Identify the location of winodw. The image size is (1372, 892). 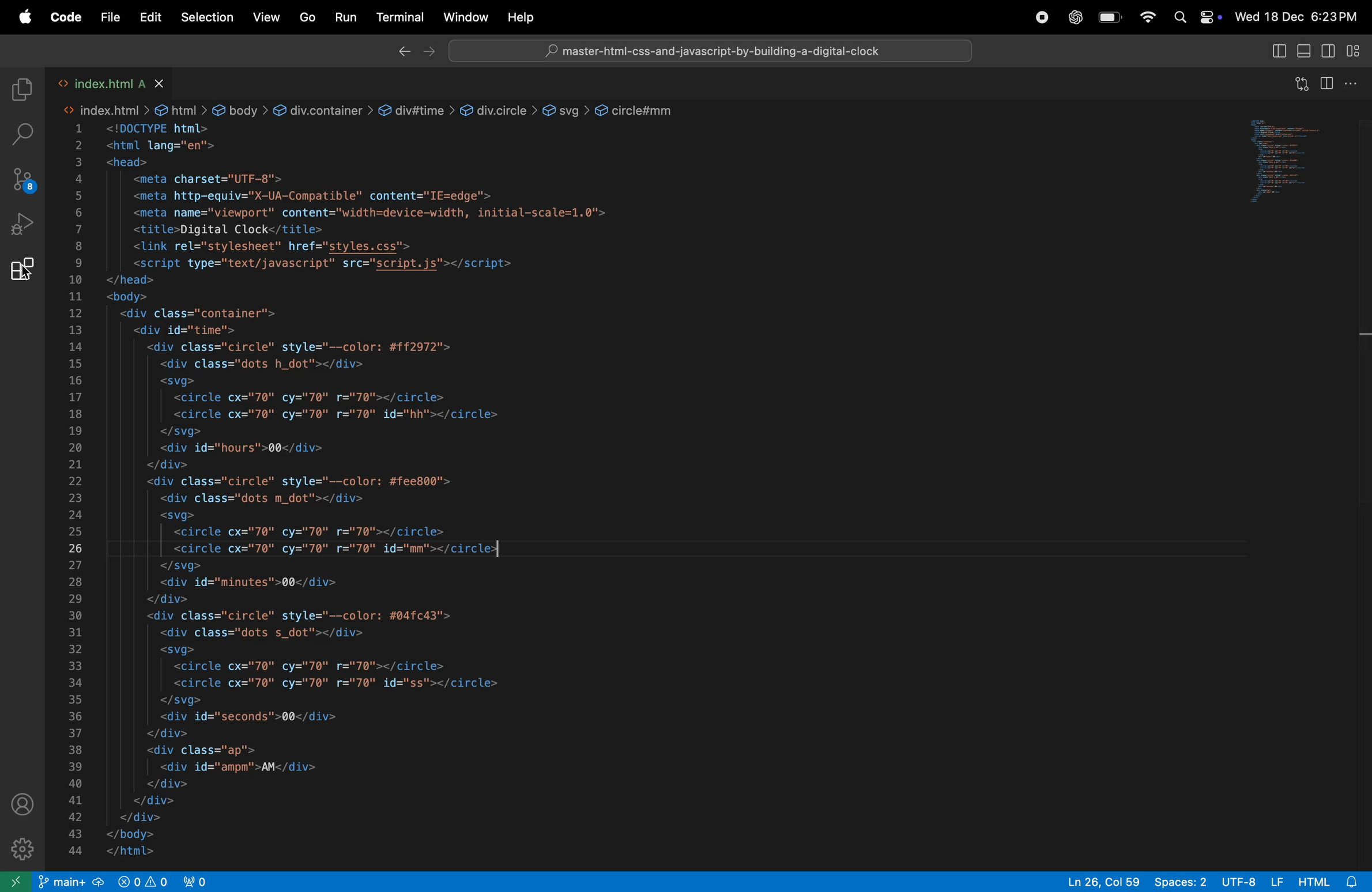
(465, 17).